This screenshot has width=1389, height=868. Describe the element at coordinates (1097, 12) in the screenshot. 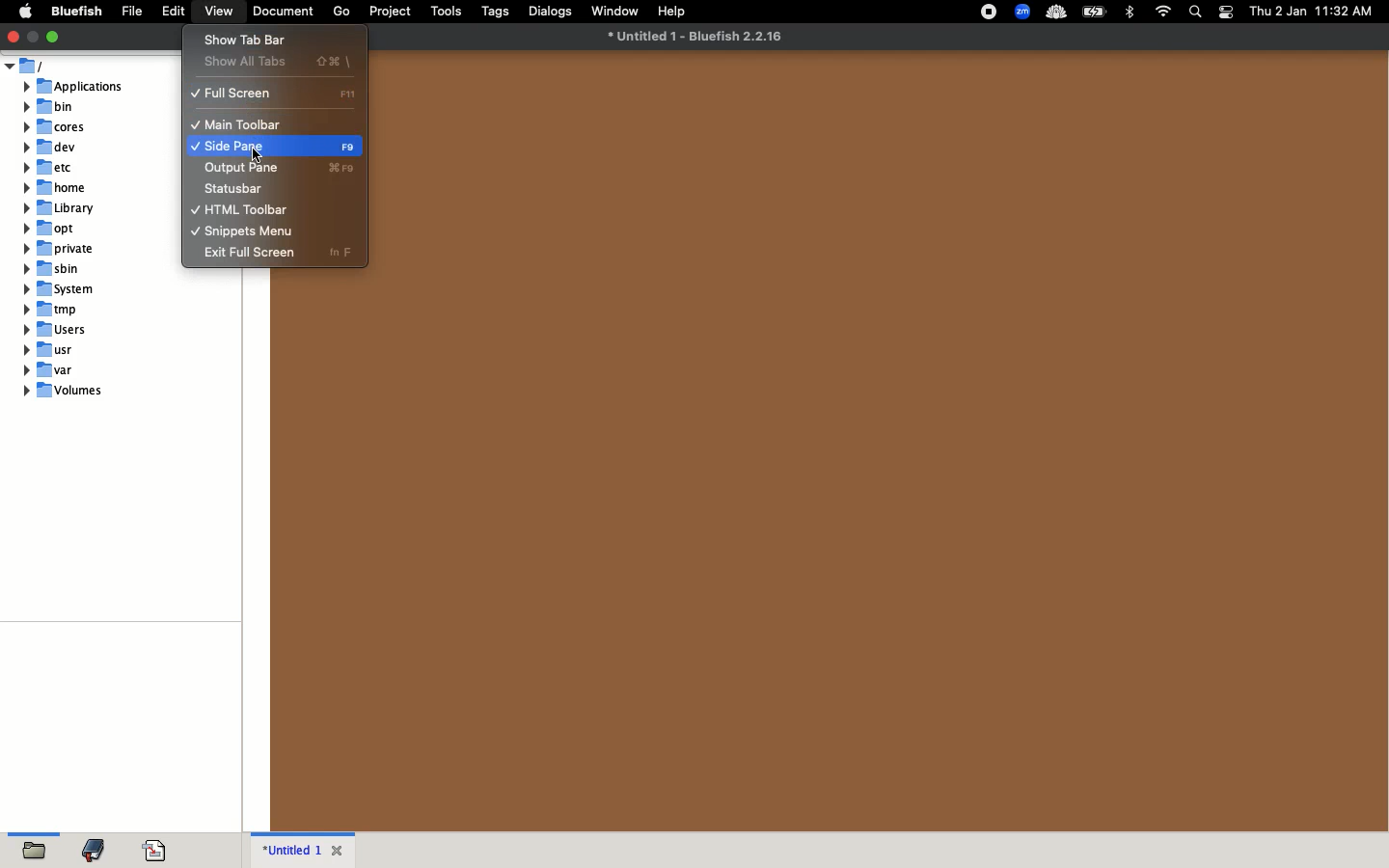

I see `charge` at that location.